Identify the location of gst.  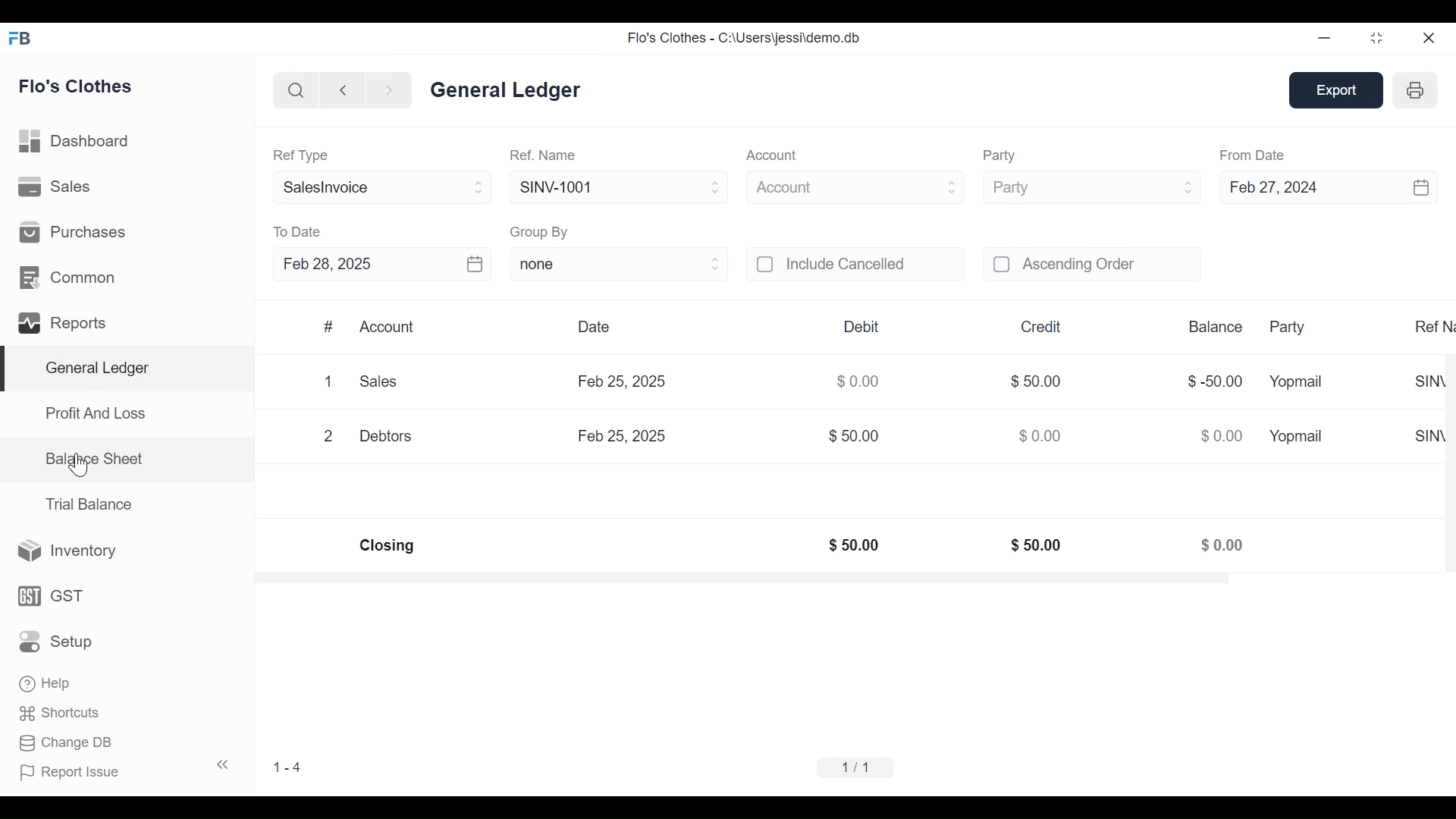
(52, 595).